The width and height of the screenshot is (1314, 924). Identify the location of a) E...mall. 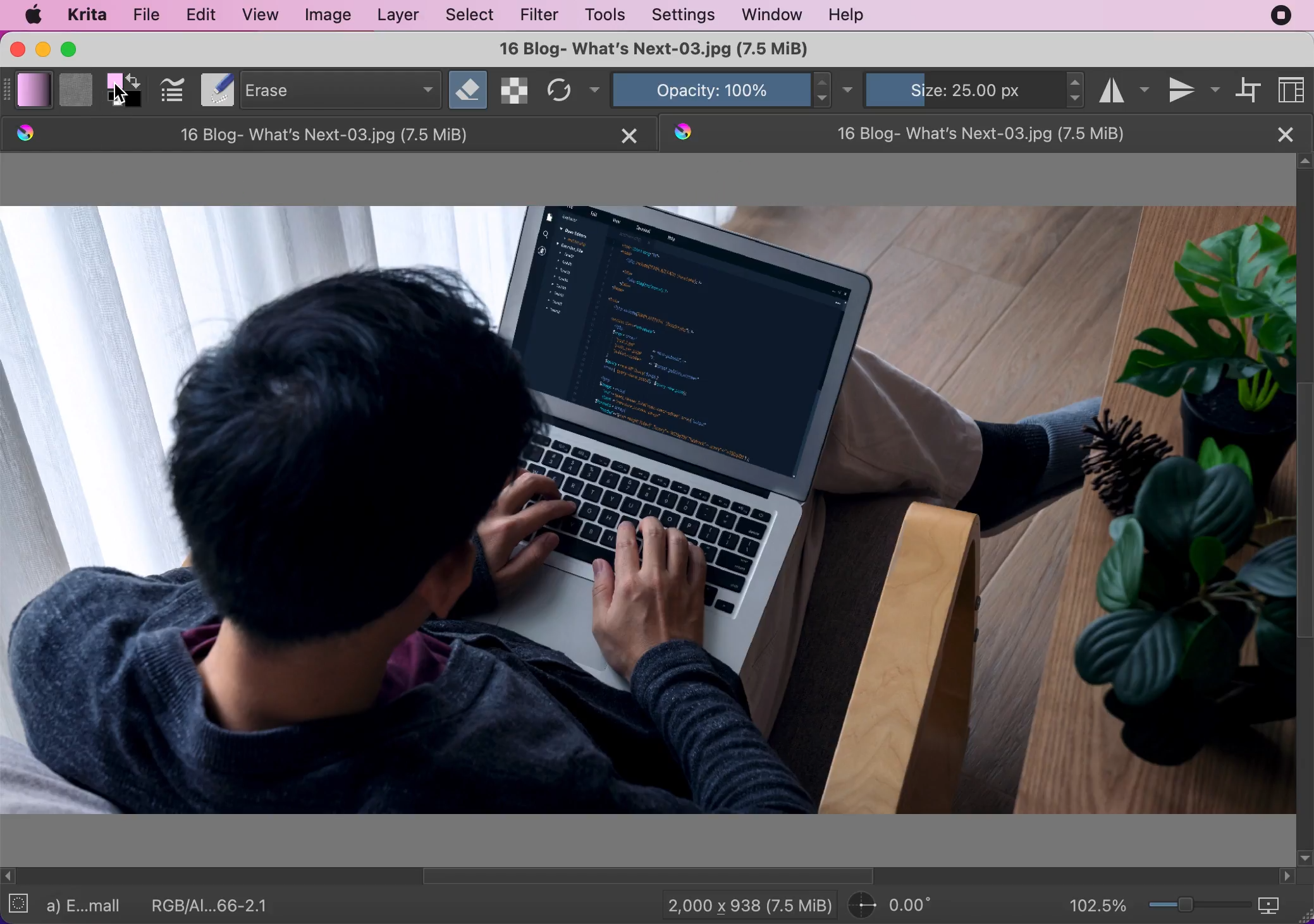
(87, 906).